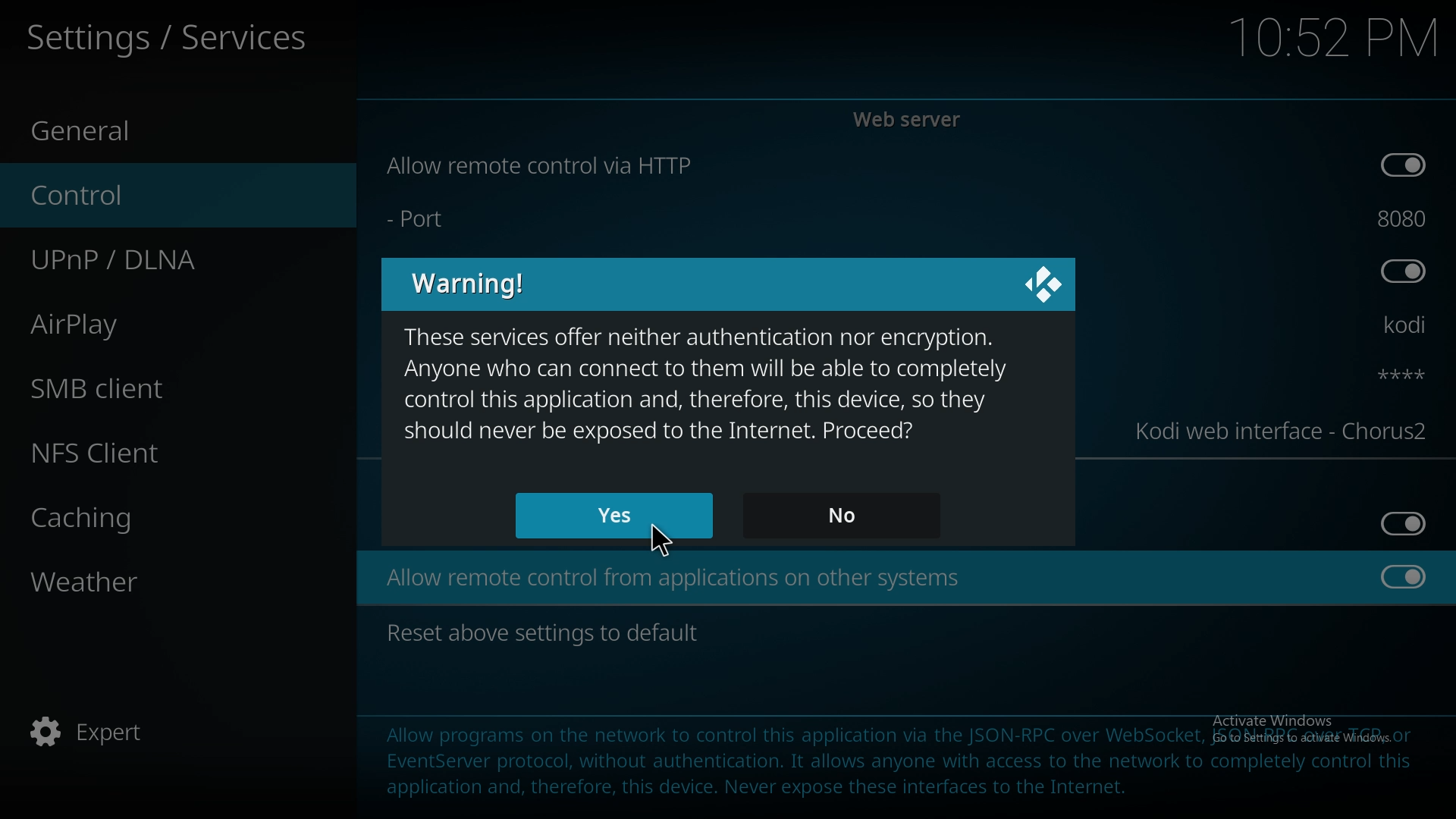 The height and width of the screenshot is (819, 1456). What do you see at coordinates (158, 580) in the screenshot?
I see `weather` at bounding box center [158, 580].